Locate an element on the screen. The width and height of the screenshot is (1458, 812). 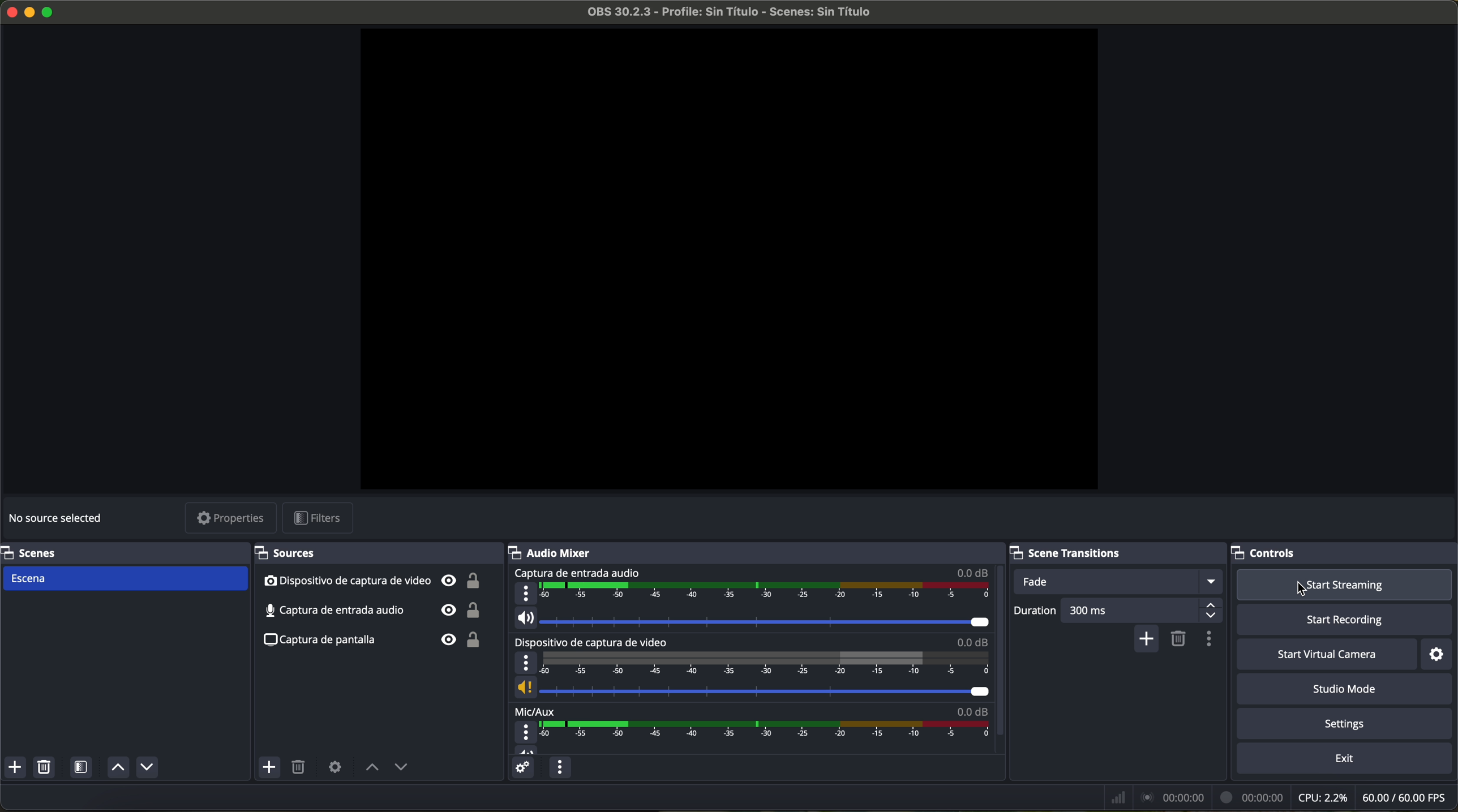
minimize OBS Studio is located at coordinates (32, 11).